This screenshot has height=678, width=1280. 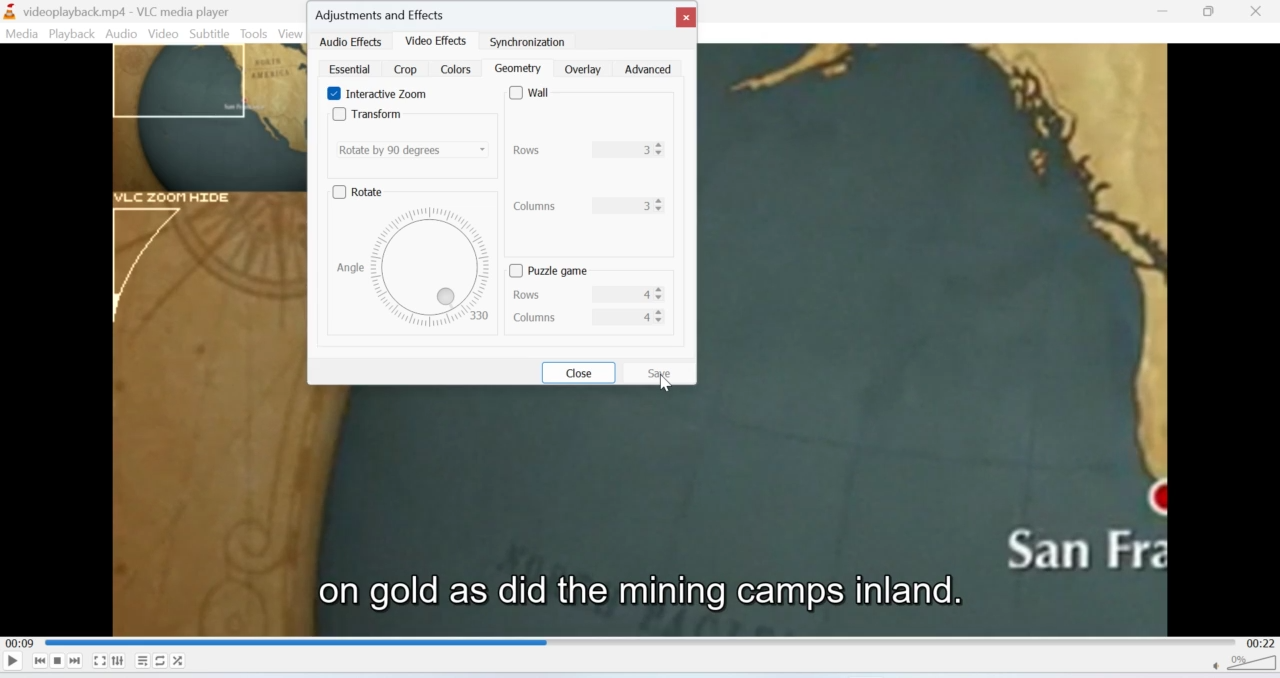 What do you see at coordinates (143, 661) in the screenshot?
I see `Playlist` at bounding box center [143, 661].